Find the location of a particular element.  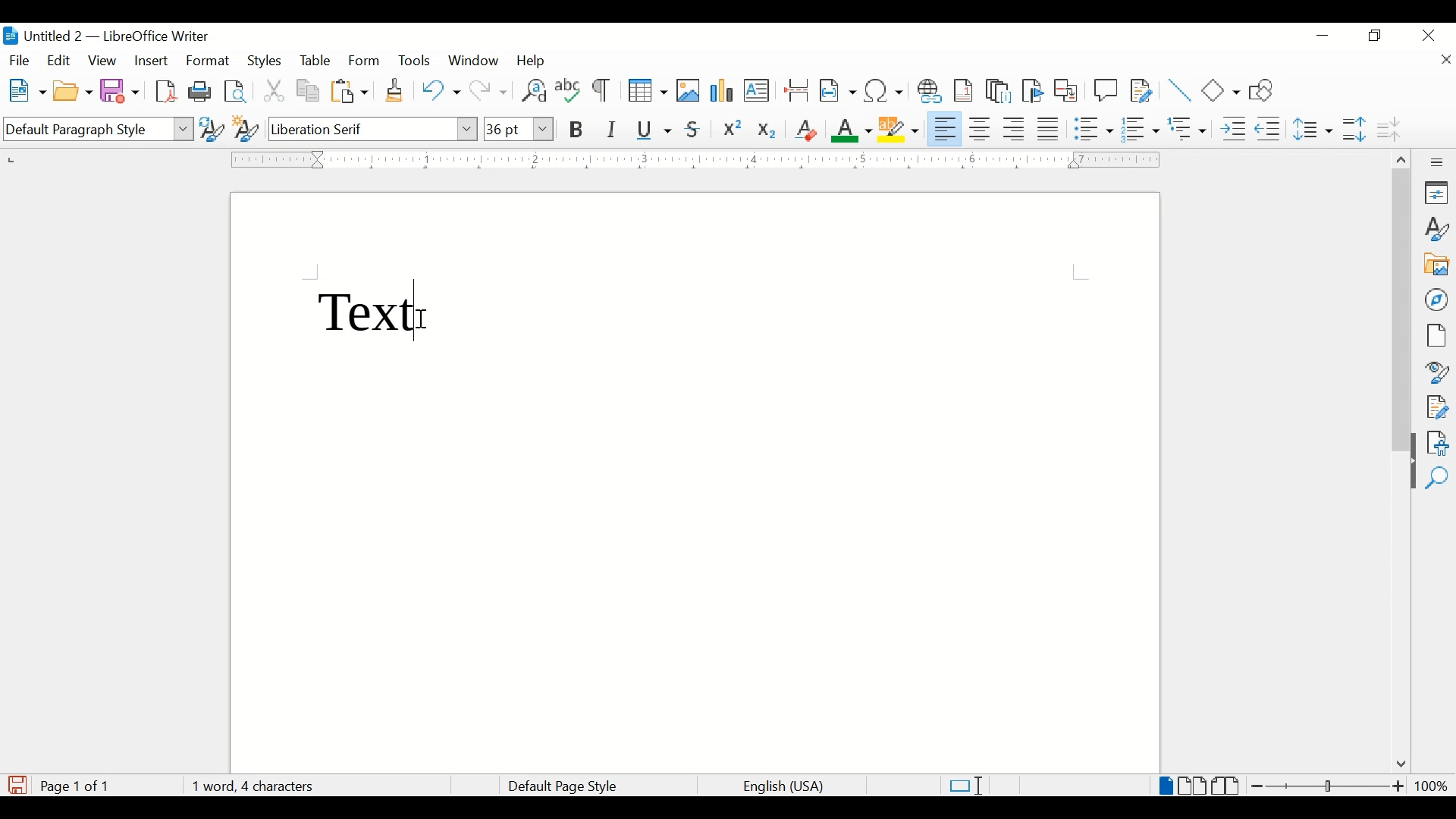

toggle ordered list is located at coordinates (1140, 128).